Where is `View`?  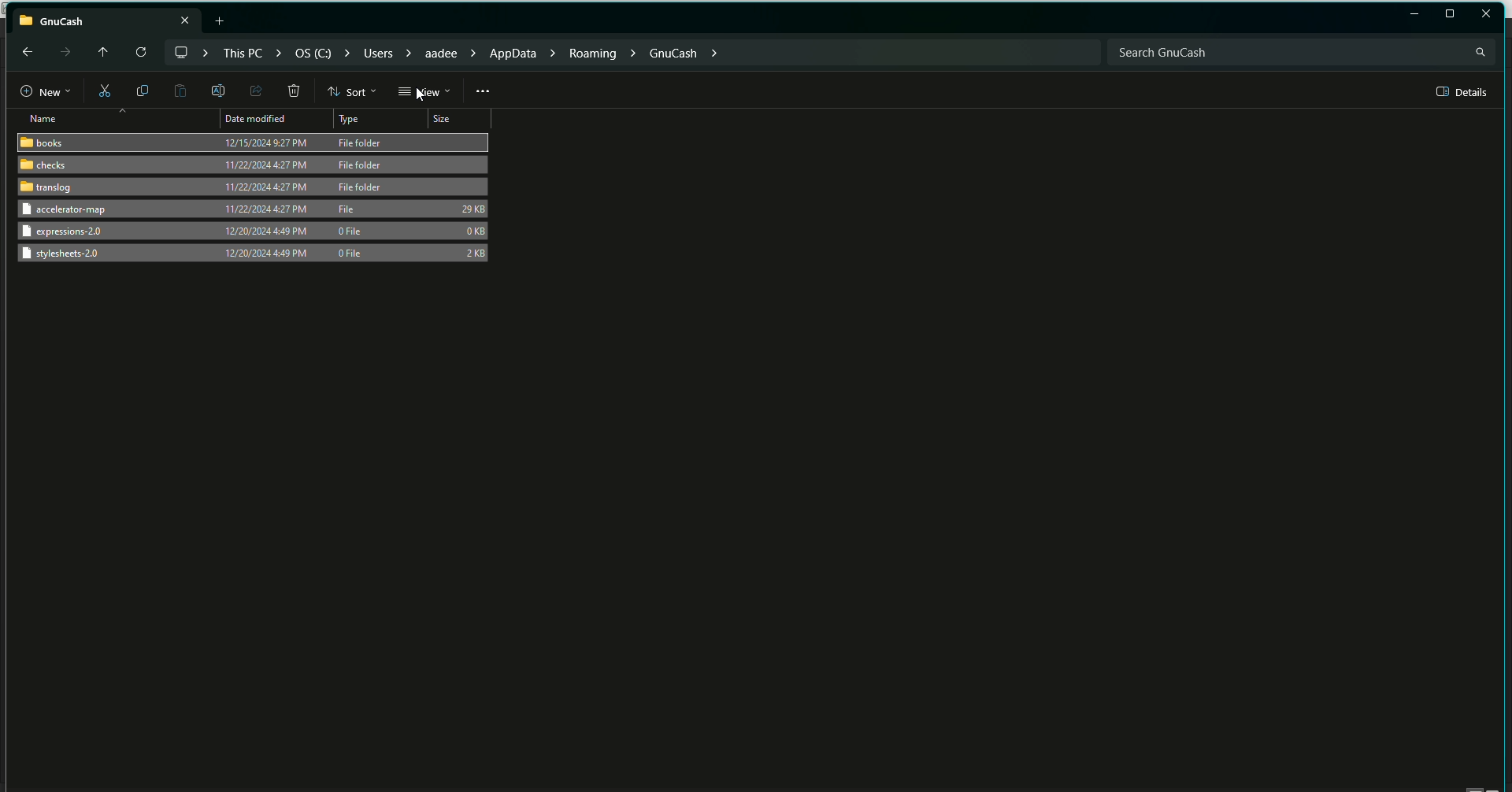
View is located at coordinates (424, 92).